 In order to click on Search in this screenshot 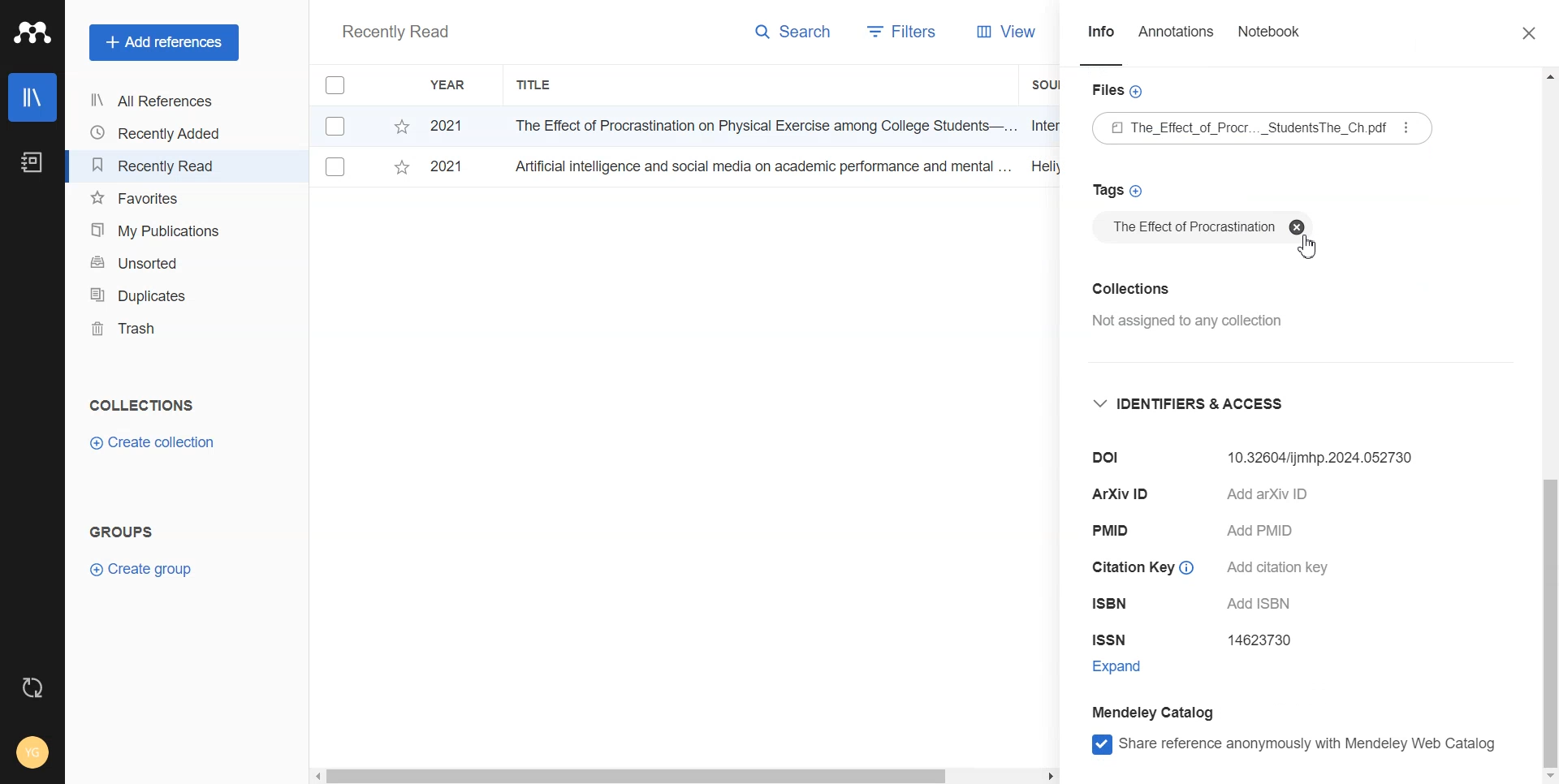, I will do `click(794, 35)`.